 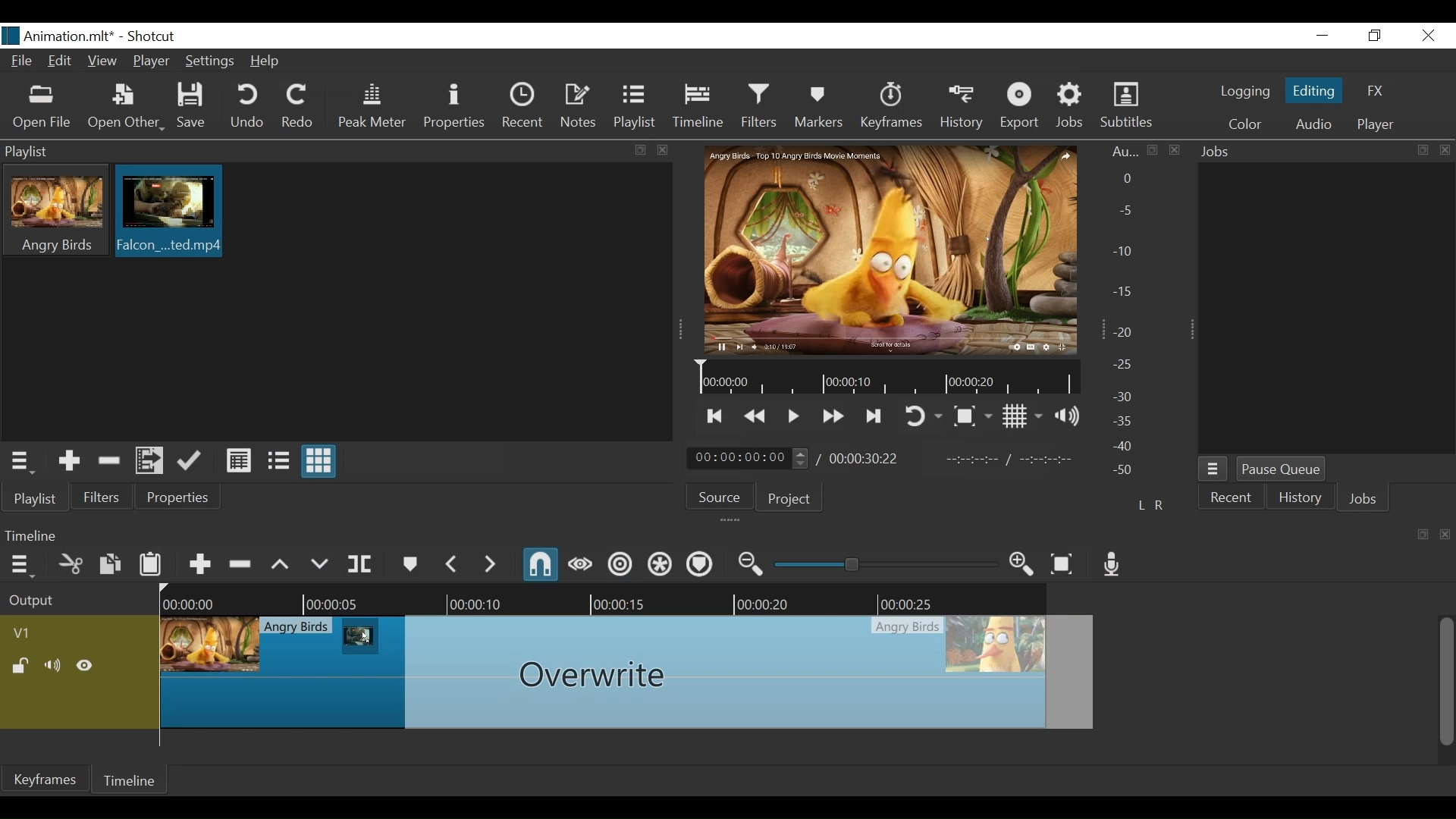 What do you see at coordinates (193, 106) in the screenshot?
I see `Save` at bounding box center [193, 106].